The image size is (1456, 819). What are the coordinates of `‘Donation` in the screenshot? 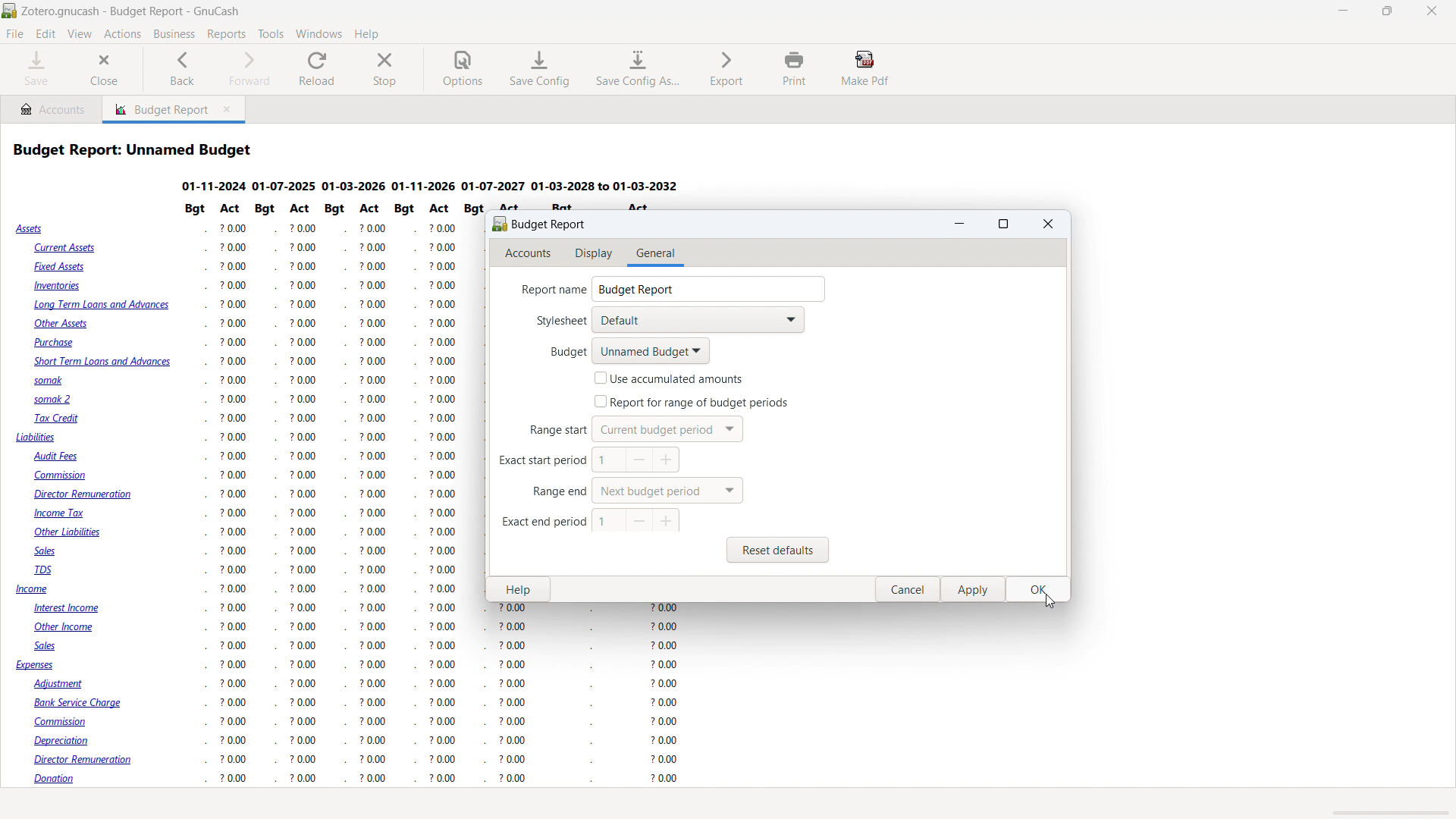 It's located at (65, 780).